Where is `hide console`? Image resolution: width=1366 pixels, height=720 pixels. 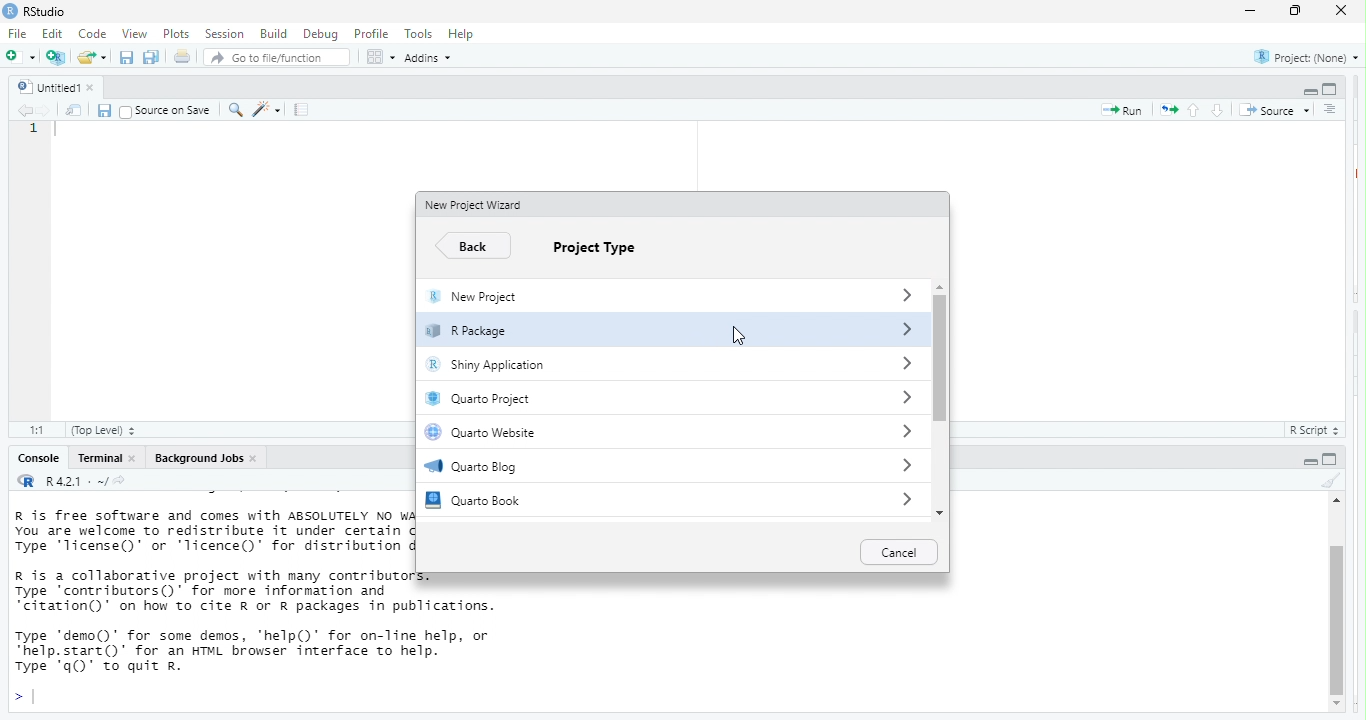 hide console is located at coordinates (1331, 88).